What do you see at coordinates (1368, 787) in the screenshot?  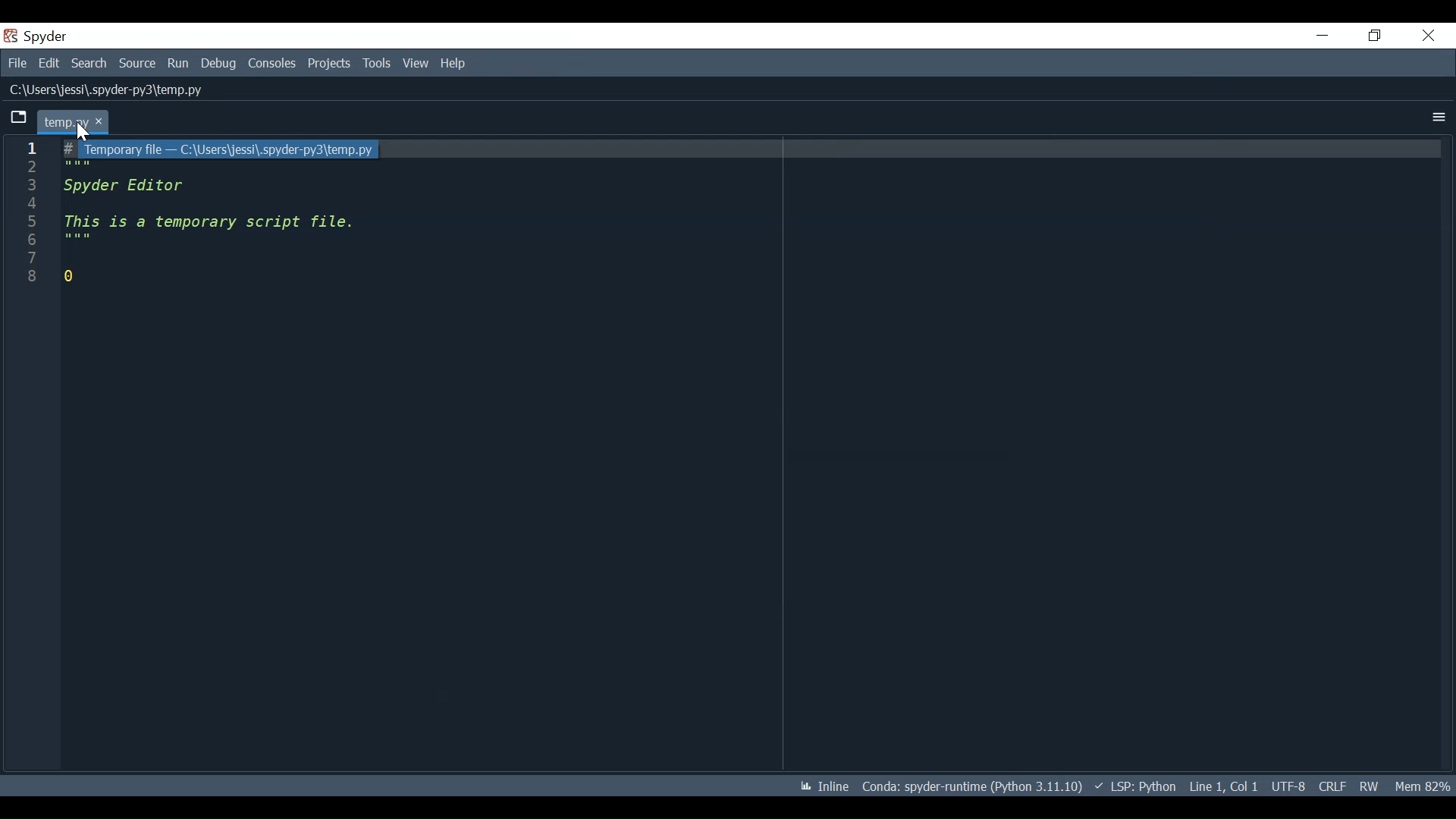 I see `File Permission` at bounding box center [1368, 787].